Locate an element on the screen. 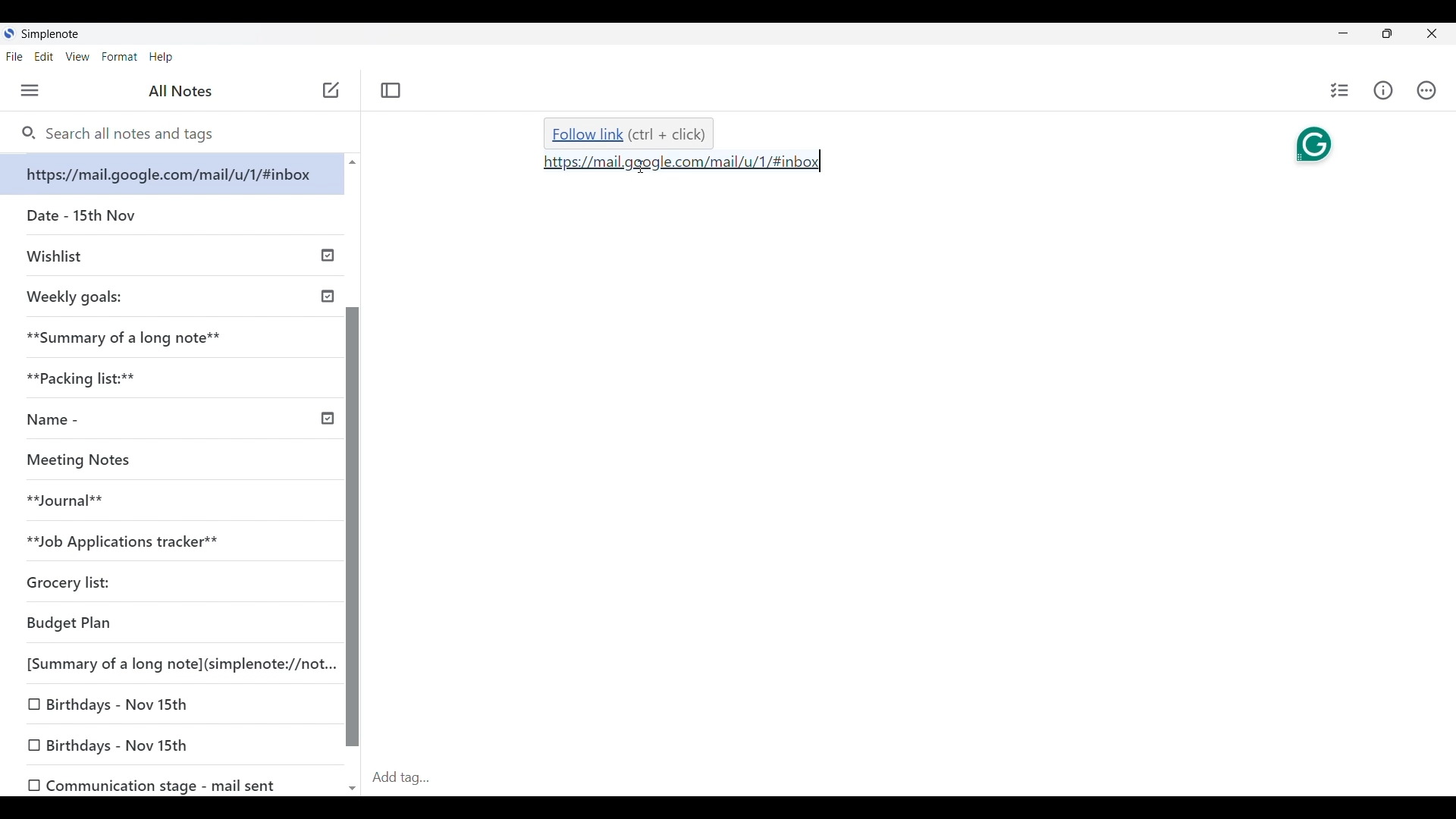  Edit menu is located at coordinates (44, 57).